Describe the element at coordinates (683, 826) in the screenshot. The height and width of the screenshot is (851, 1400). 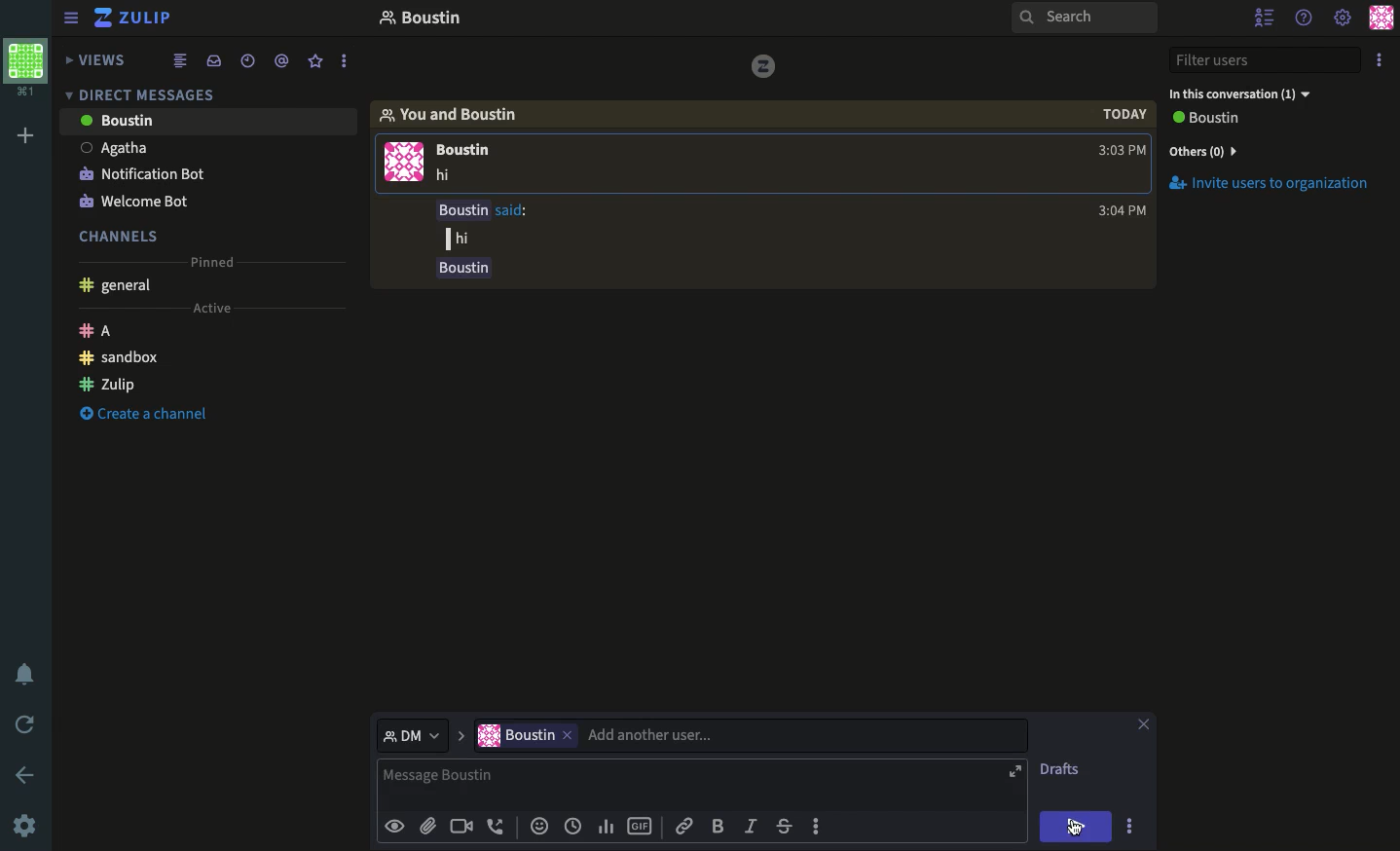
I see `Link` at that location.